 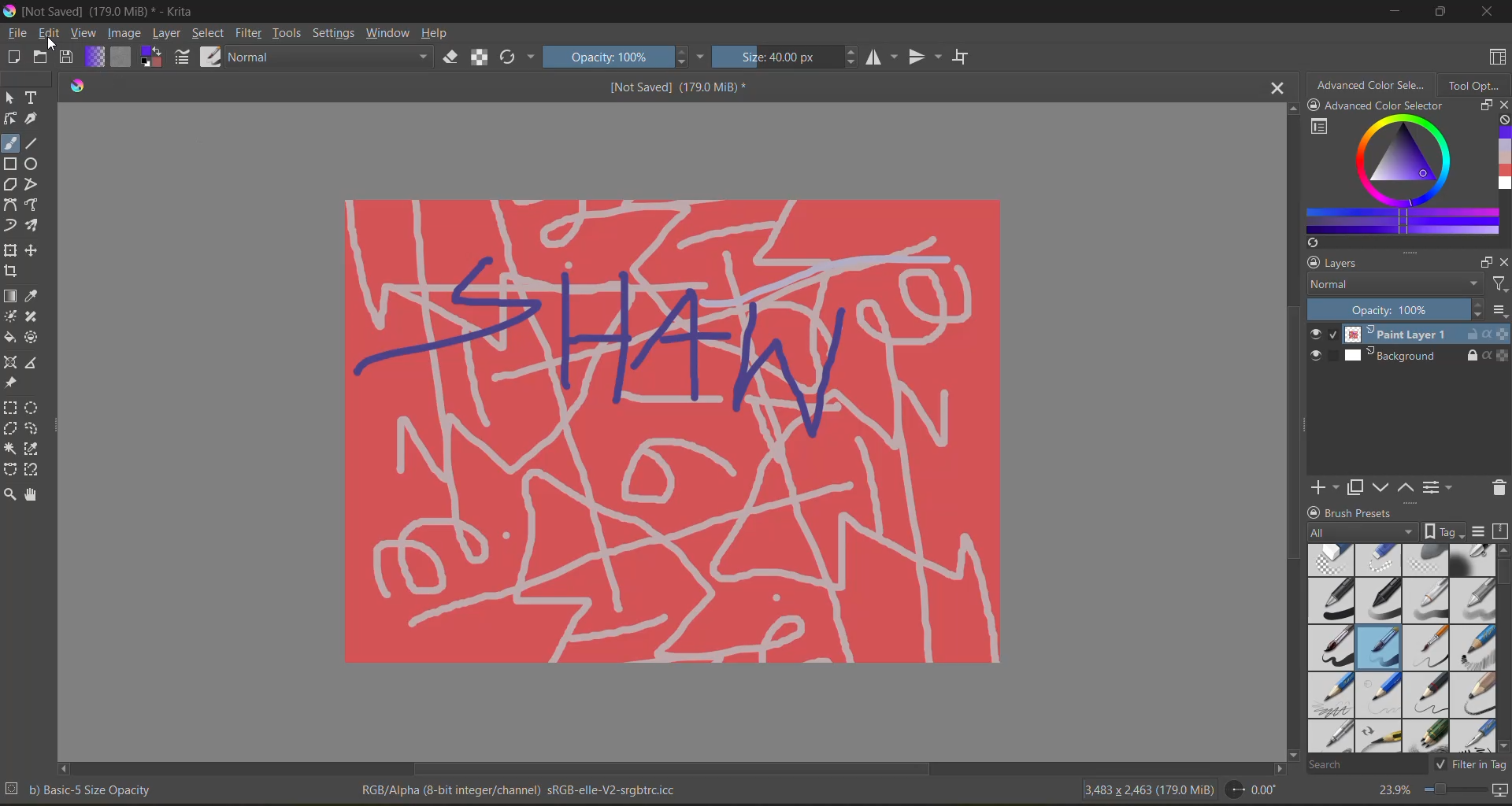 I want to click on filter, so click(x=1496, y=285).